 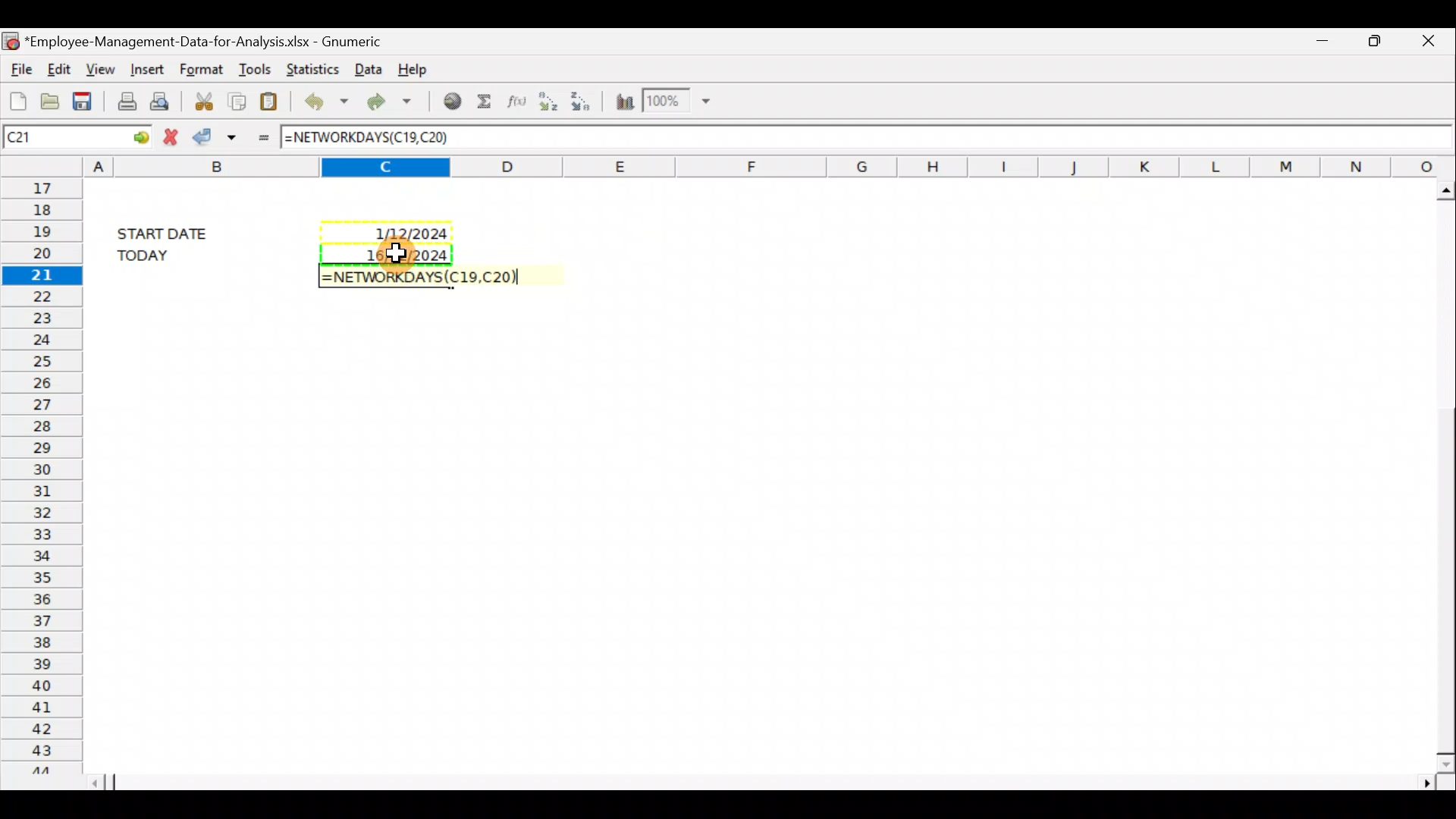 What do you see at coordinates (547, 102) in the screenshot?
I see `Sort in Ascending order` at bounding box center [547, 102].